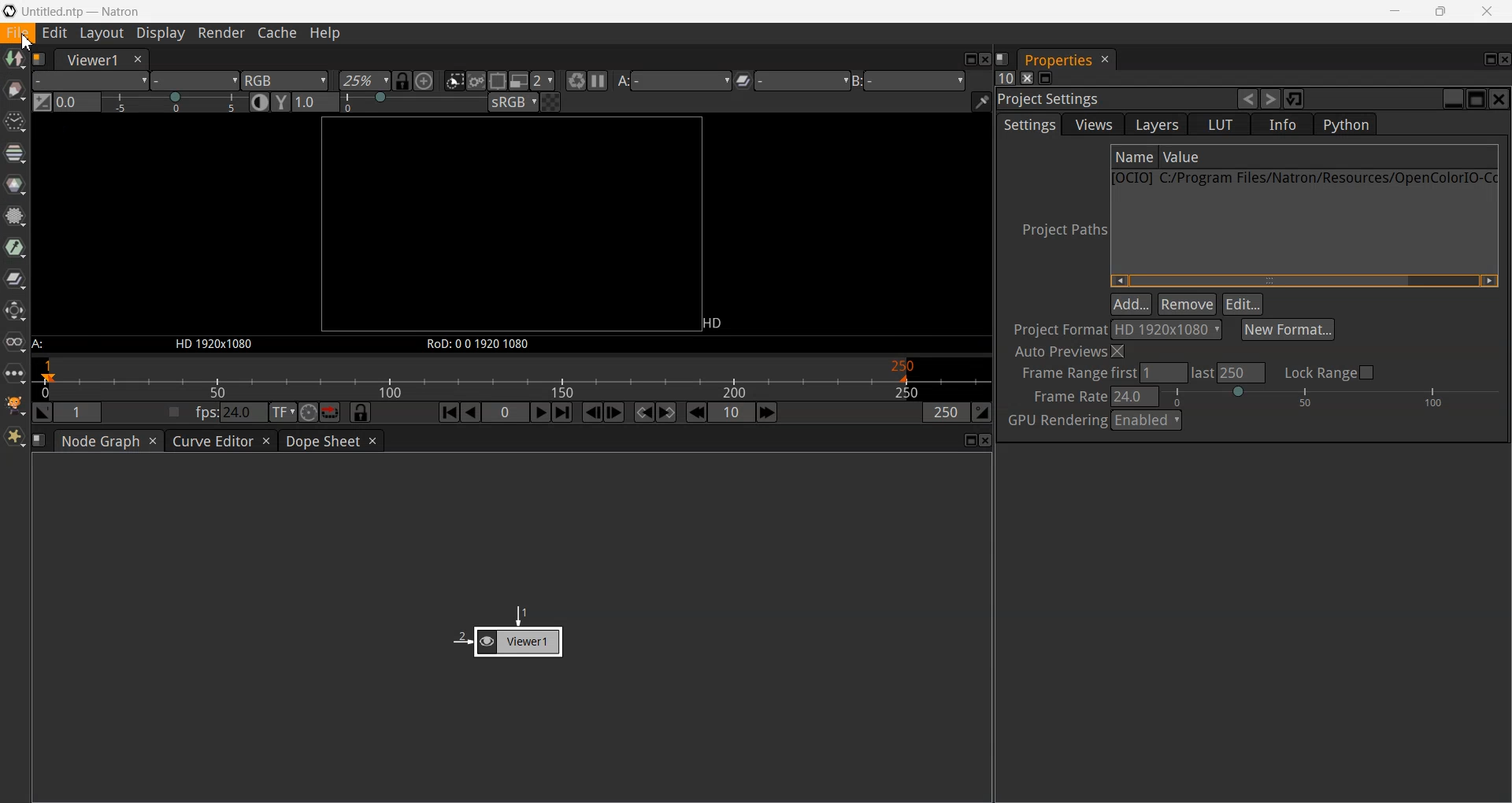 The width and height of the screenshot is (1512, 803). I want to click on Next Frame, so click(614, 412).